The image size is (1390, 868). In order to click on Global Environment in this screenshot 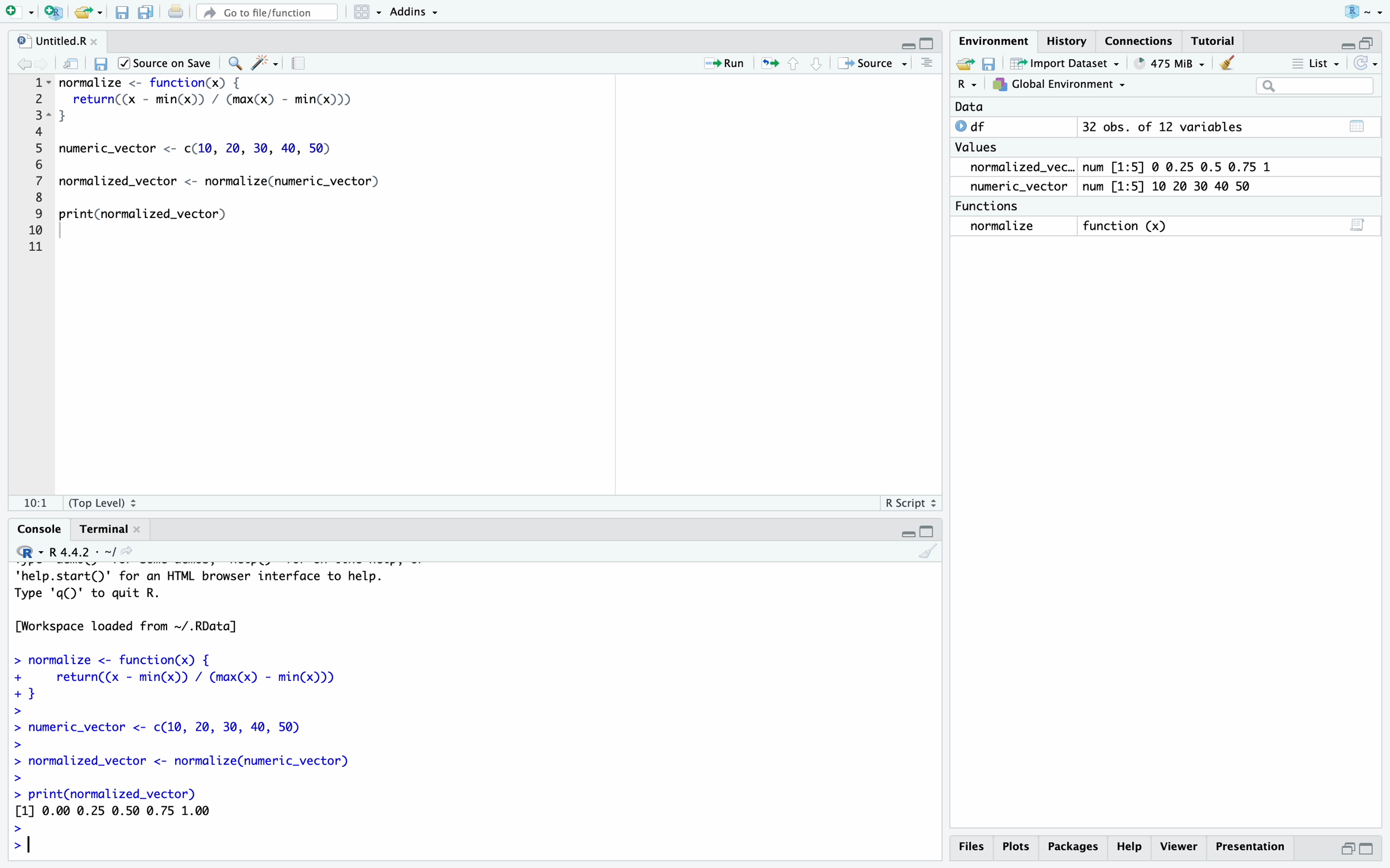, I will do `click(1057, 84)`.